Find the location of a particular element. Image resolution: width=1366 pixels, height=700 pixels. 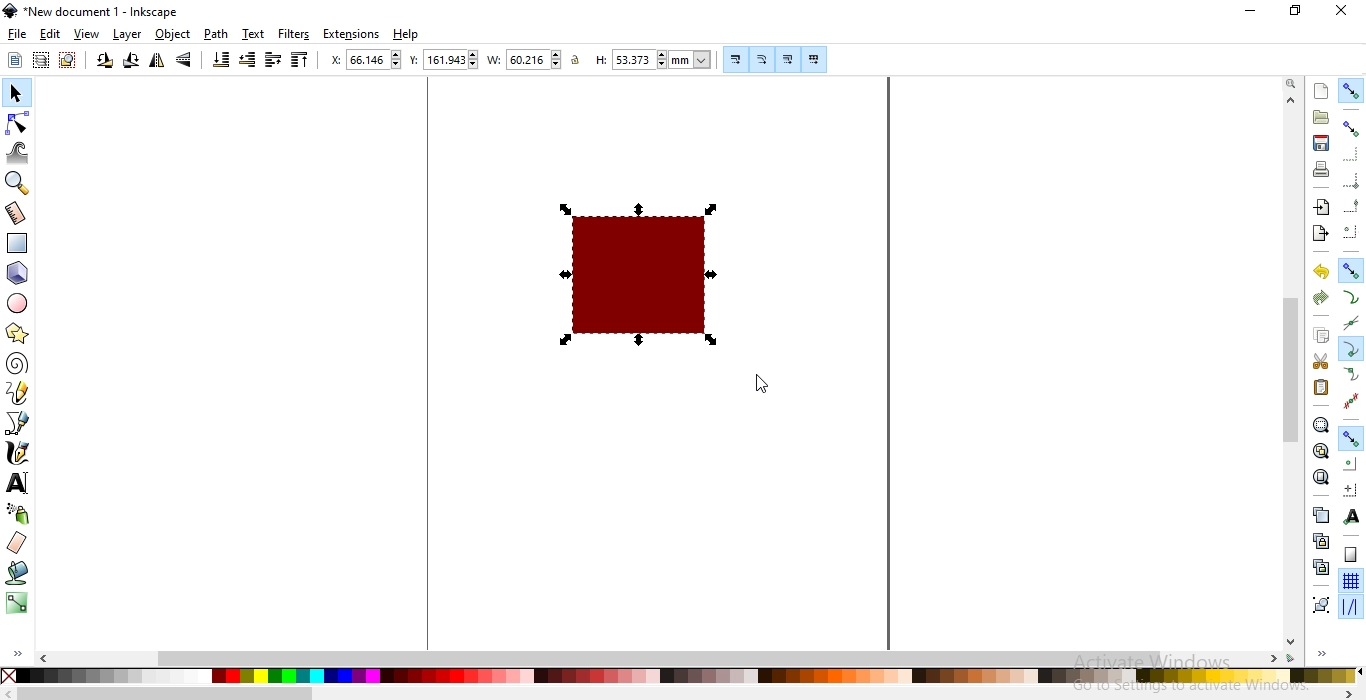

cut selection is located at coordinates (1318, 362).